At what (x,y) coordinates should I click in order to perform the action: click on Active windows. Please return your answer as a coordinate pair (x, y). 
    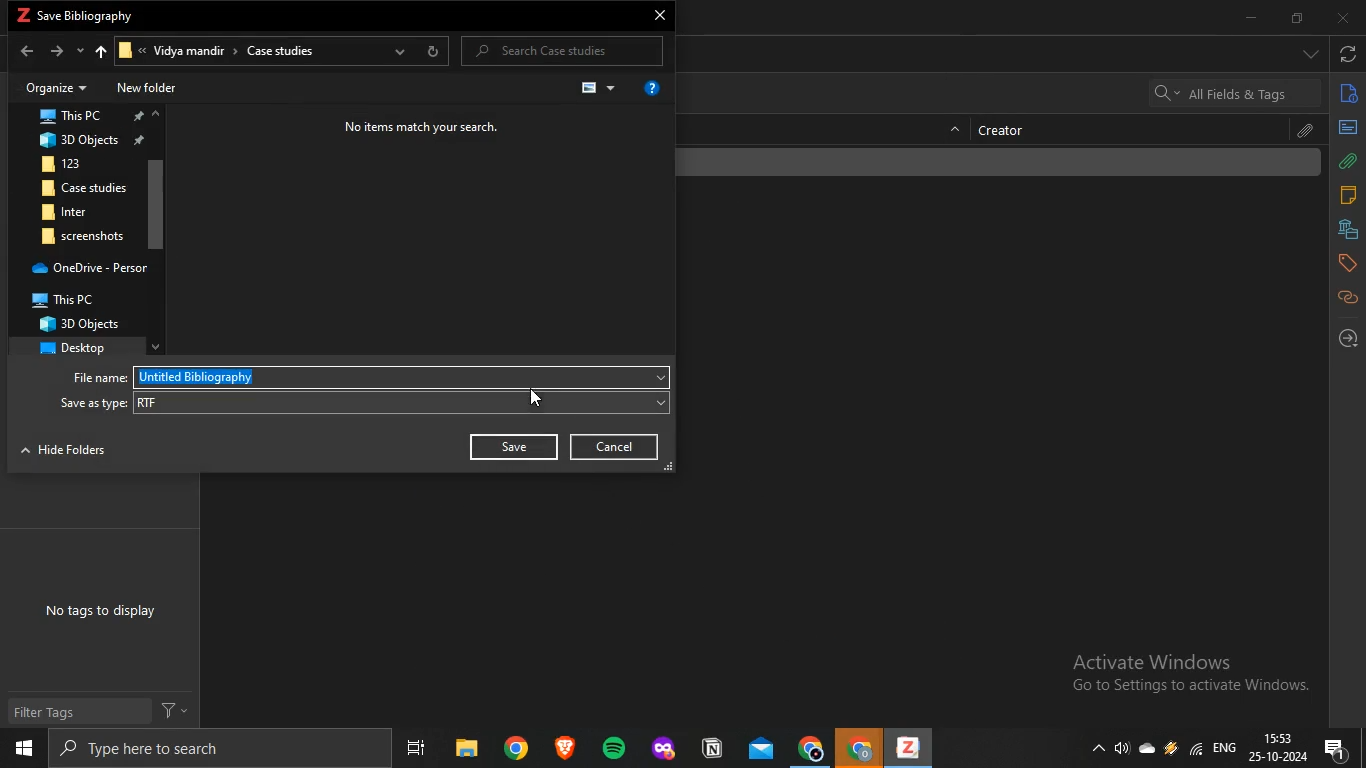
    Looking at the image, I should click on (1190, 667).